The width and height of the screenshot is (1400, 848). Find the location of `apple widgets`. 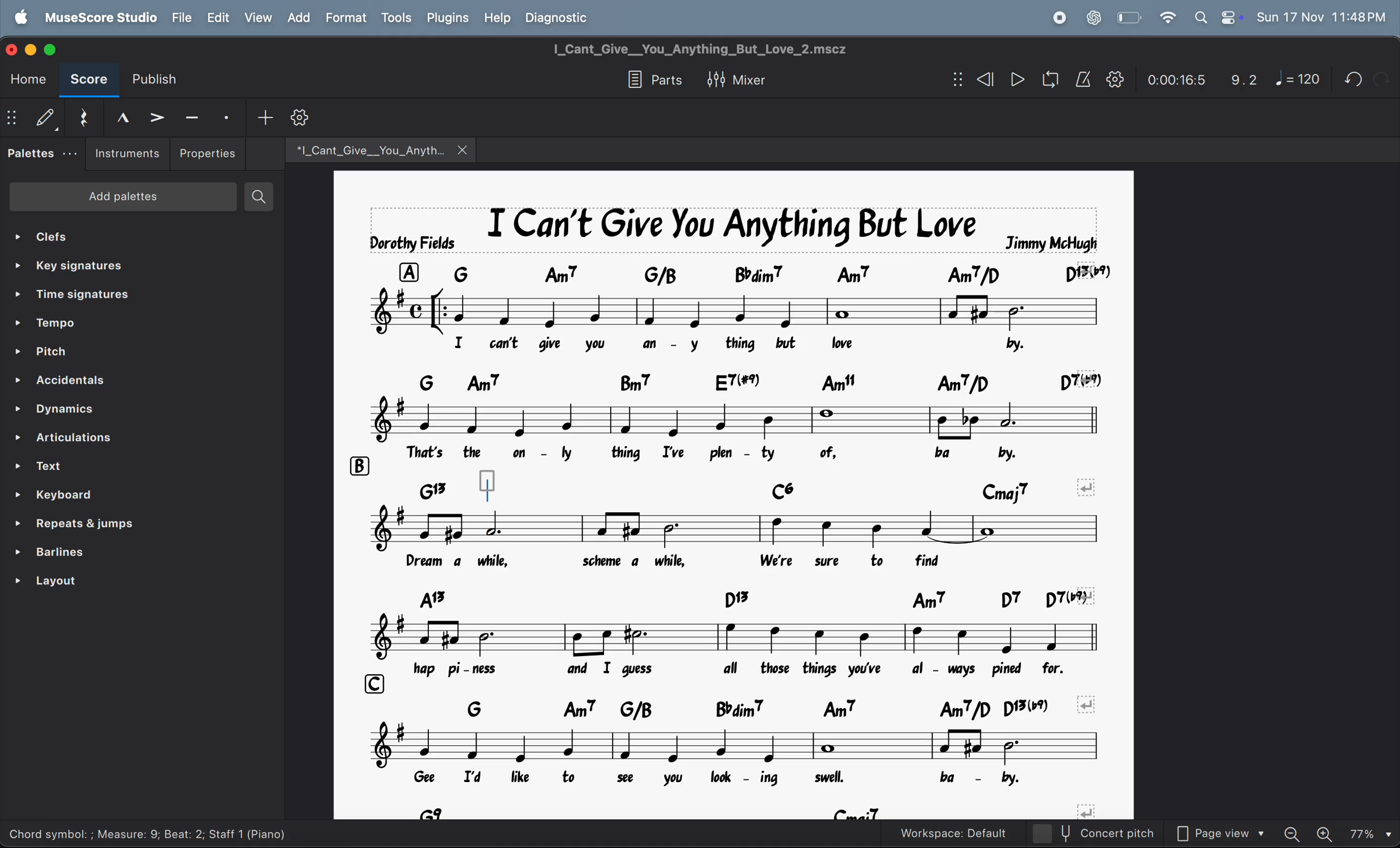

apple widgets is located at coordinates (1218, 17).